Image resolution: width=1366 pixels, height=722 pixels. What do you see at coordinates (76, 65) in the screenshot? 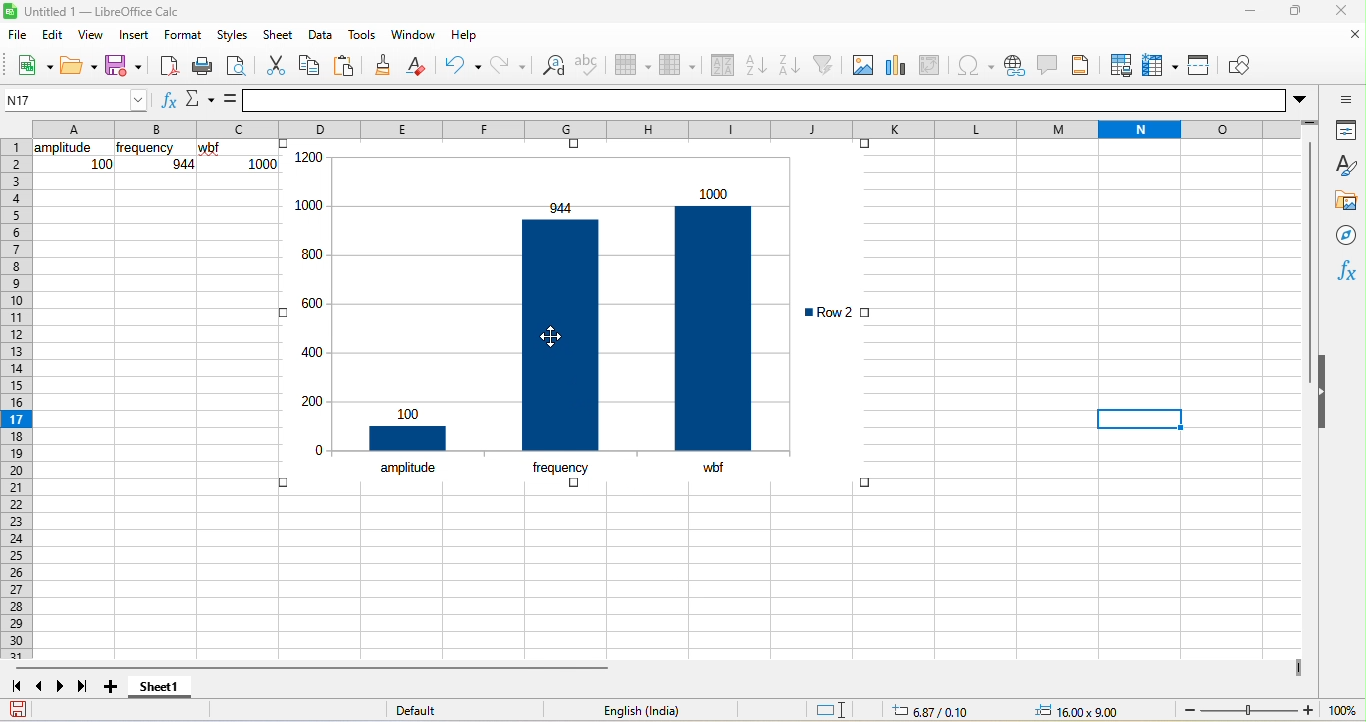
I see `open` at bounding box center [76, 65].